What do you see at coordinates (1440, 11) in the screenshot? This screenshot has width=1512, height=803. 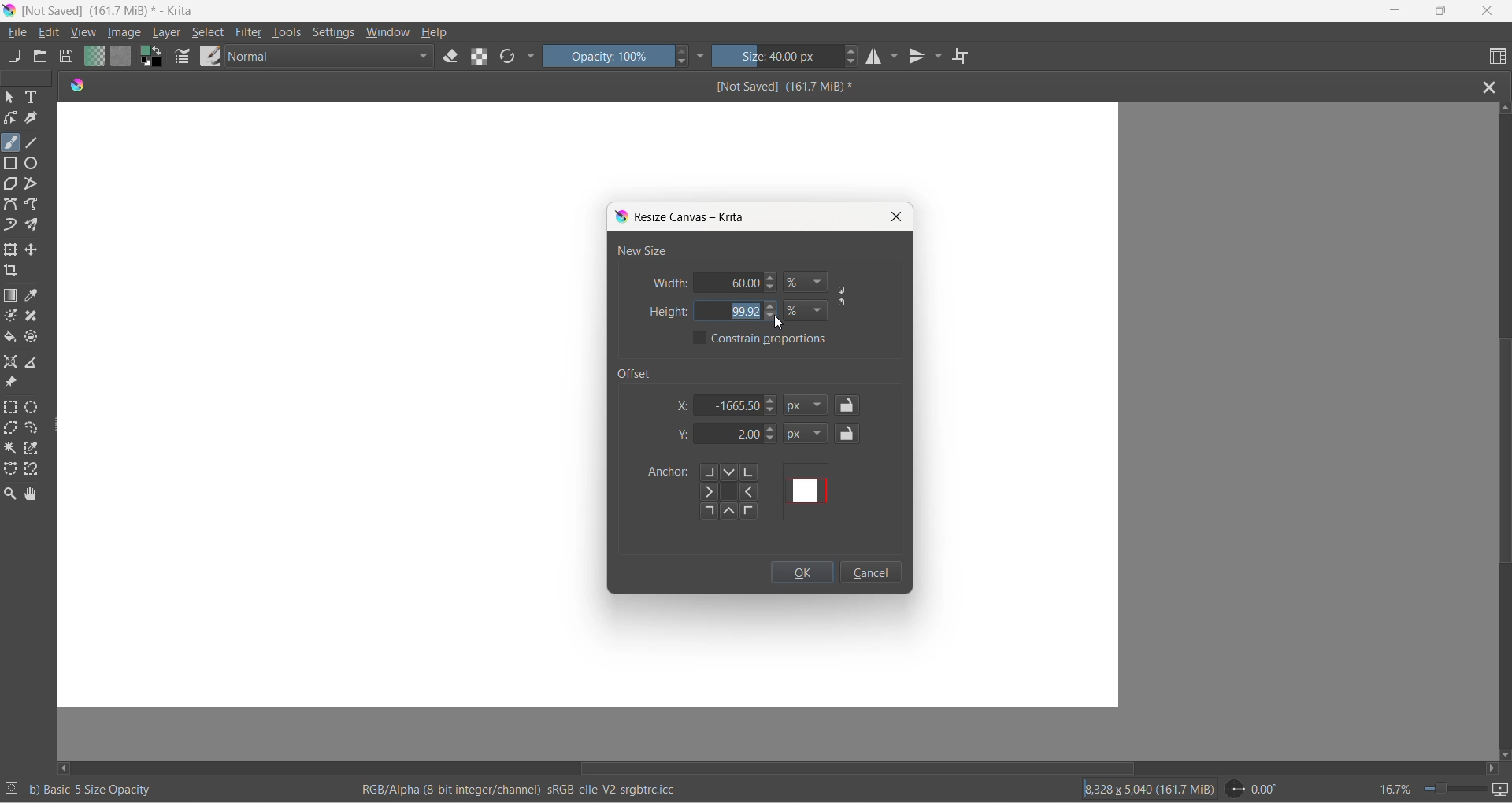 I see `maximize` at bounding box center [1440, 11].